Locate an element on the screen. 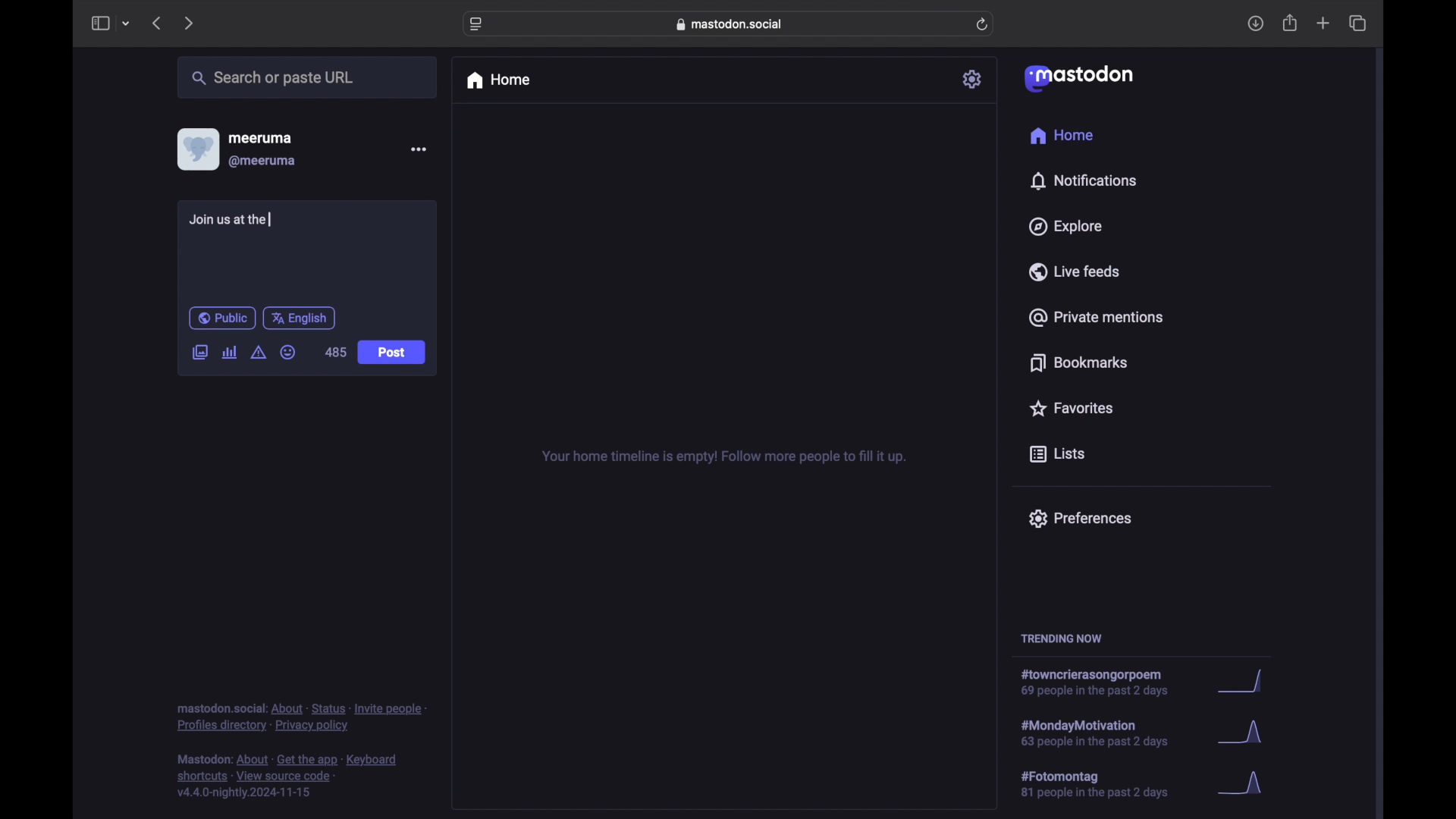 Image resolution: width=1456 pixels, height=819 pixels. graph is located at coordinates (1244, 736).